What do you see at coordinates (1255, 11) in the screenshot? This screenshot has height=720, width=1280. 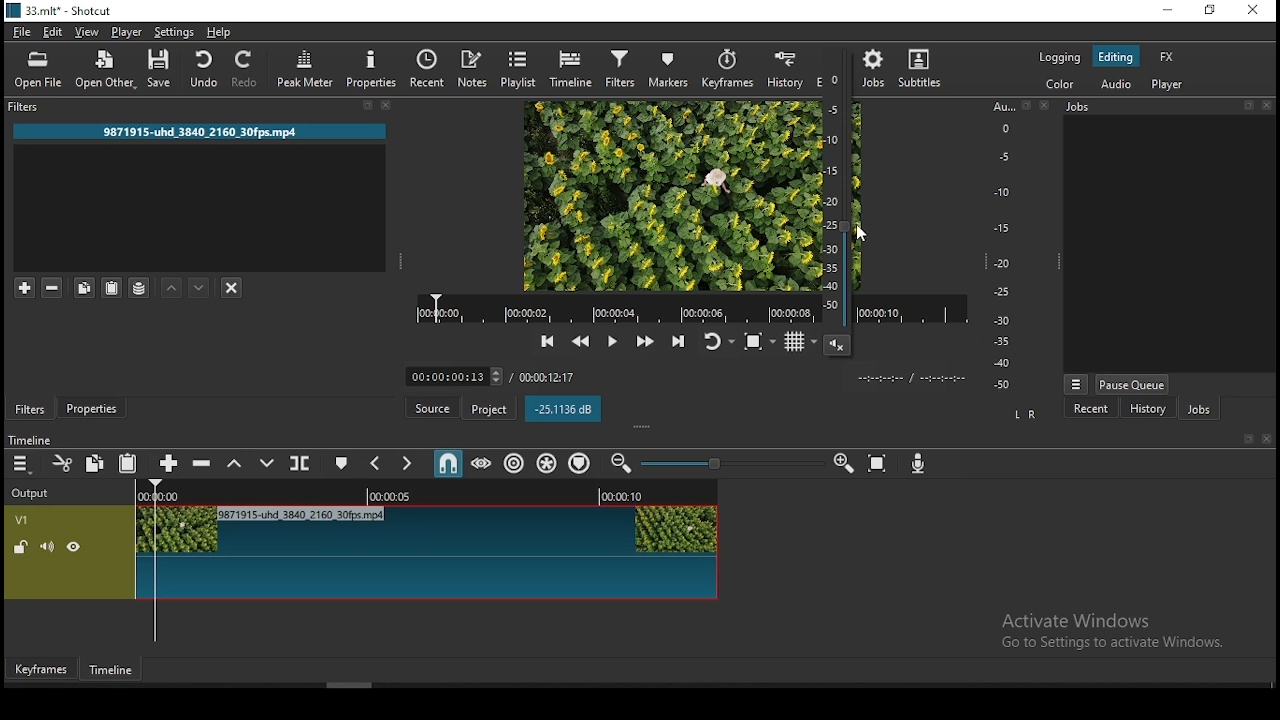 I see `close window` at bounding box center [1255, 11].